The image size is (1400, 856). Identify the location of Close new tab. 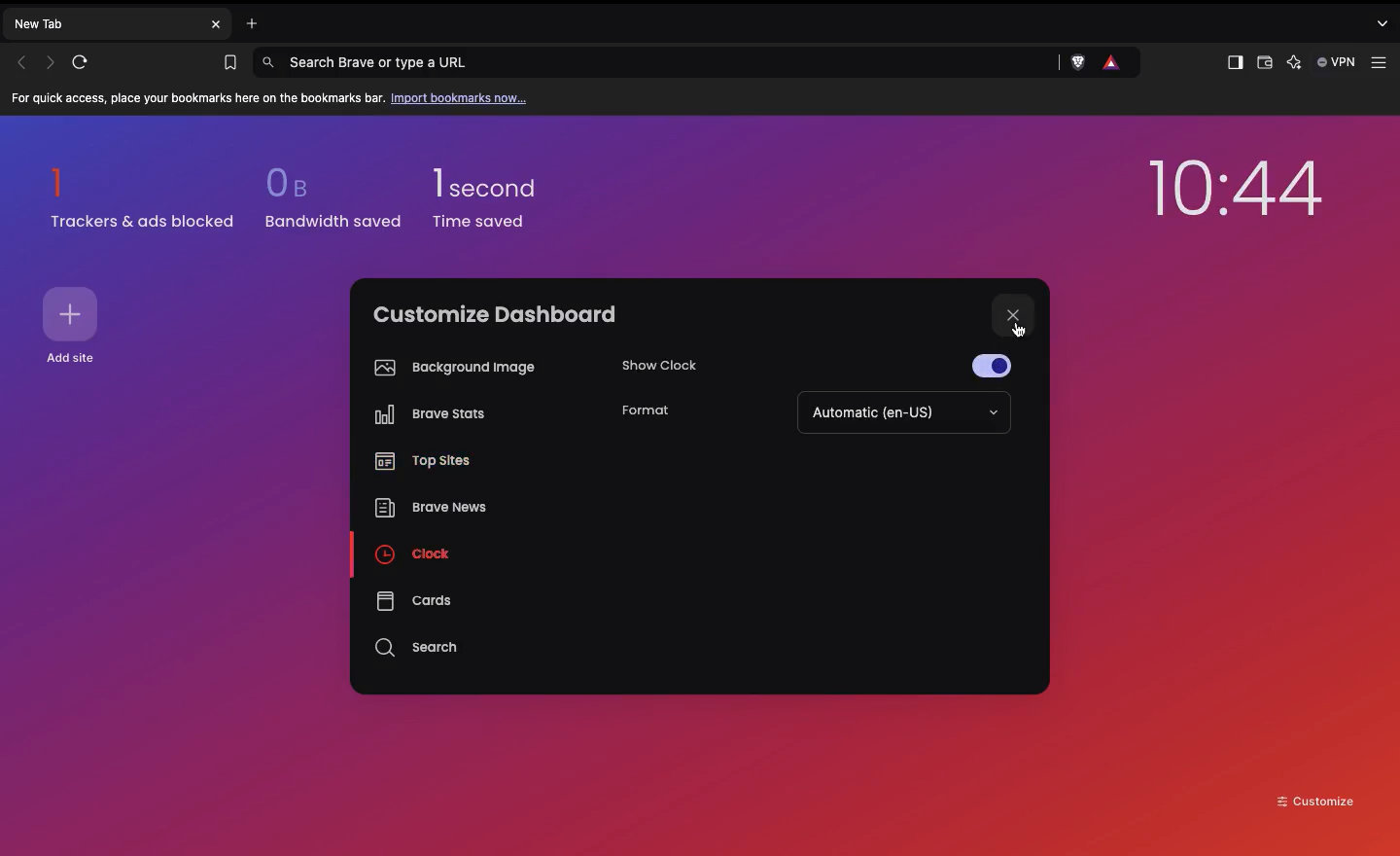
(216, 24).